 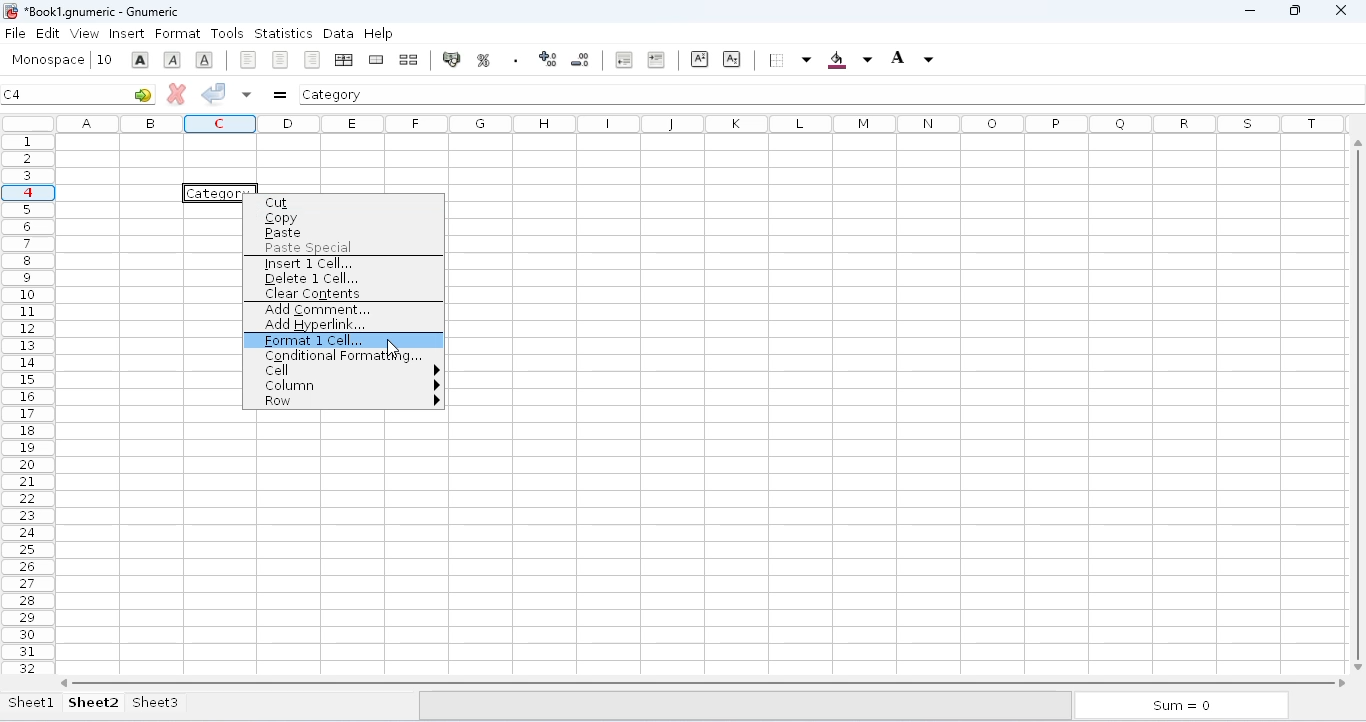 I want to click on minimize, so click(x=1250, y=11).